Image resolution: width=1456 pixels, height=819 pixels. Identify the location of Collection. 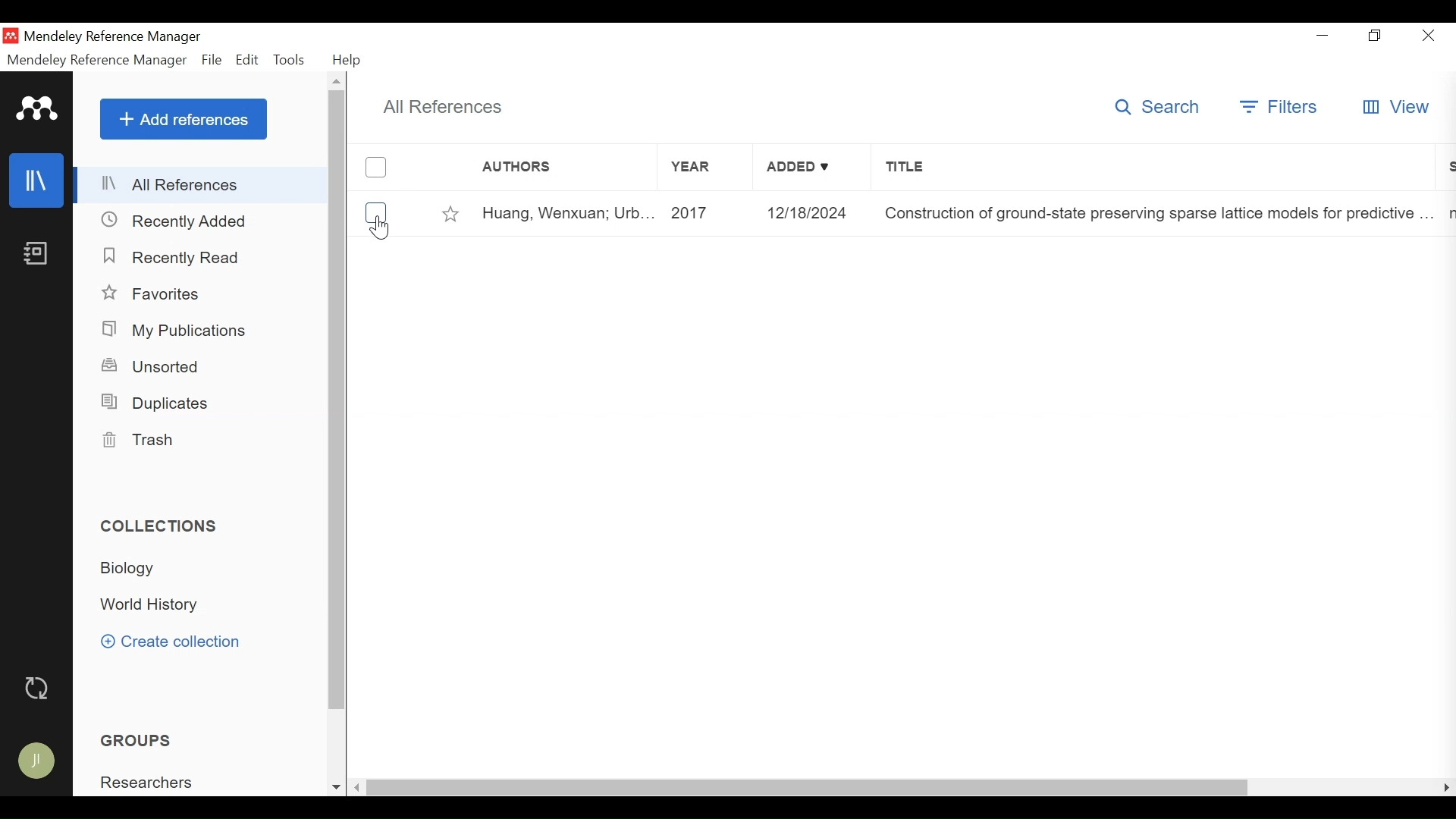
(149, 606).